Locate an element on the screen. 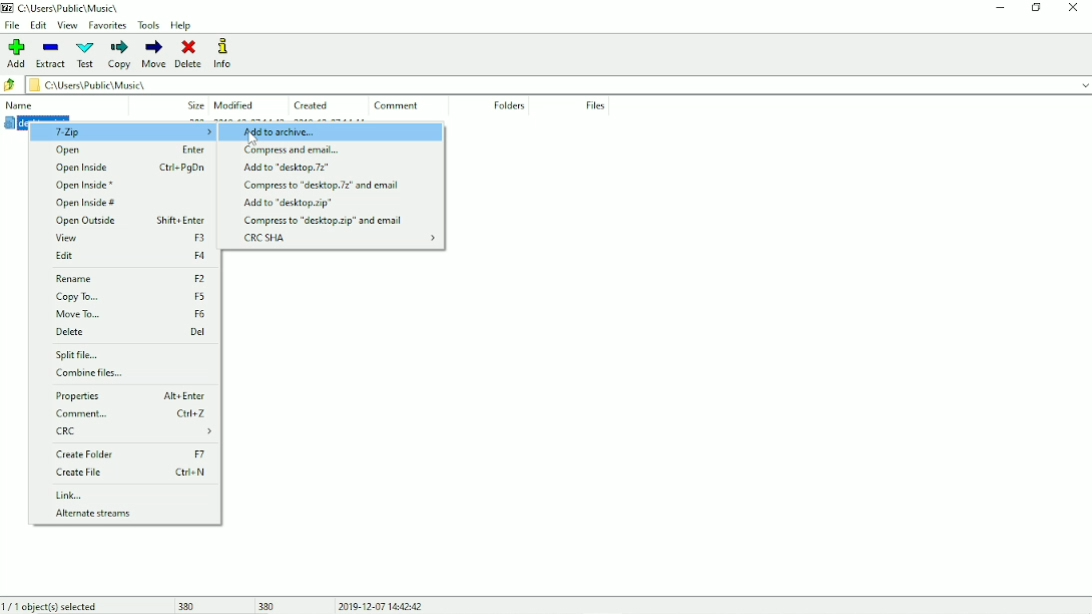  Delete  is located at coordinates (190, 54).